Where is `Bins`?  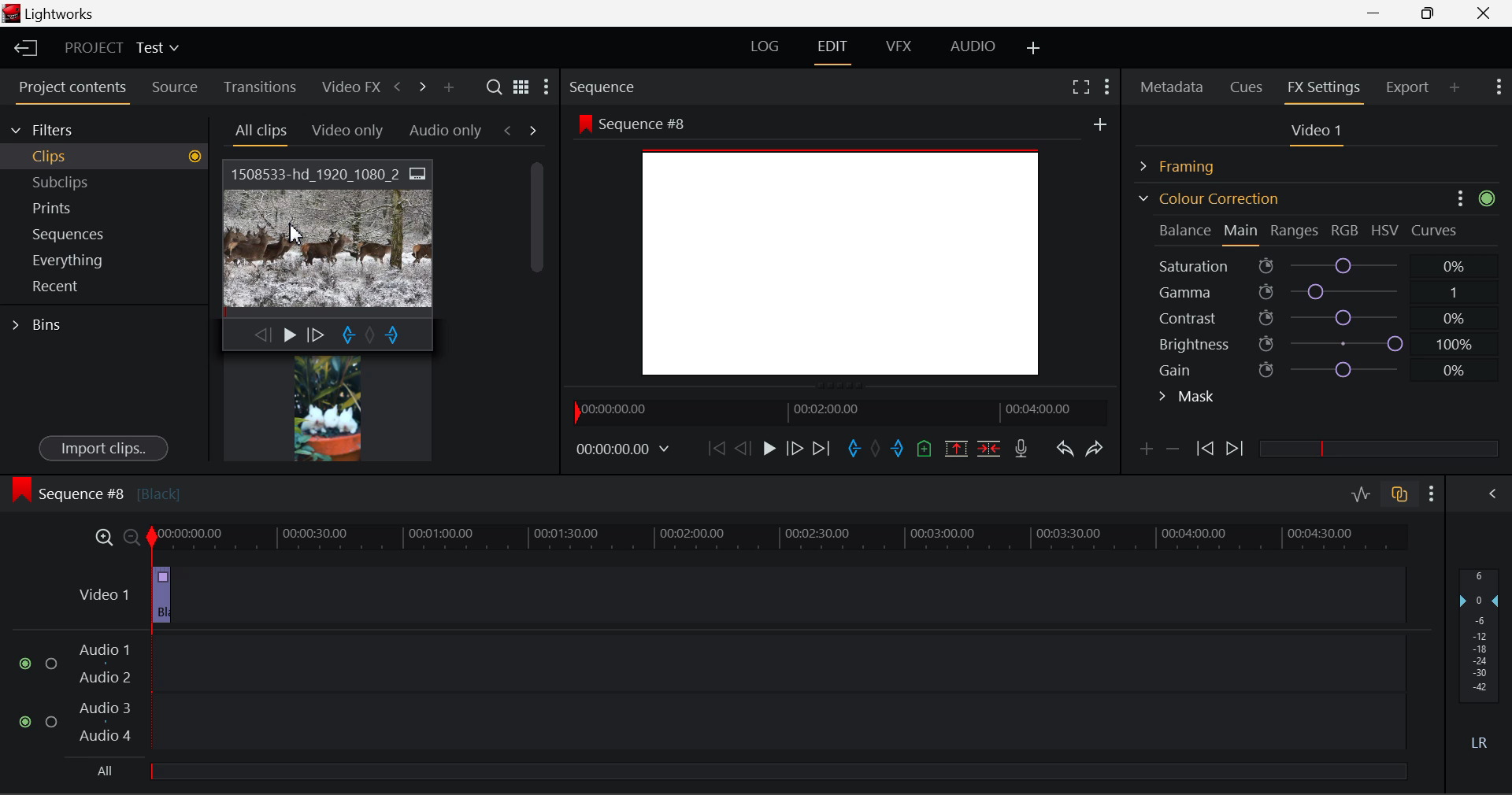 Bins is located at coordinates (42, 323).